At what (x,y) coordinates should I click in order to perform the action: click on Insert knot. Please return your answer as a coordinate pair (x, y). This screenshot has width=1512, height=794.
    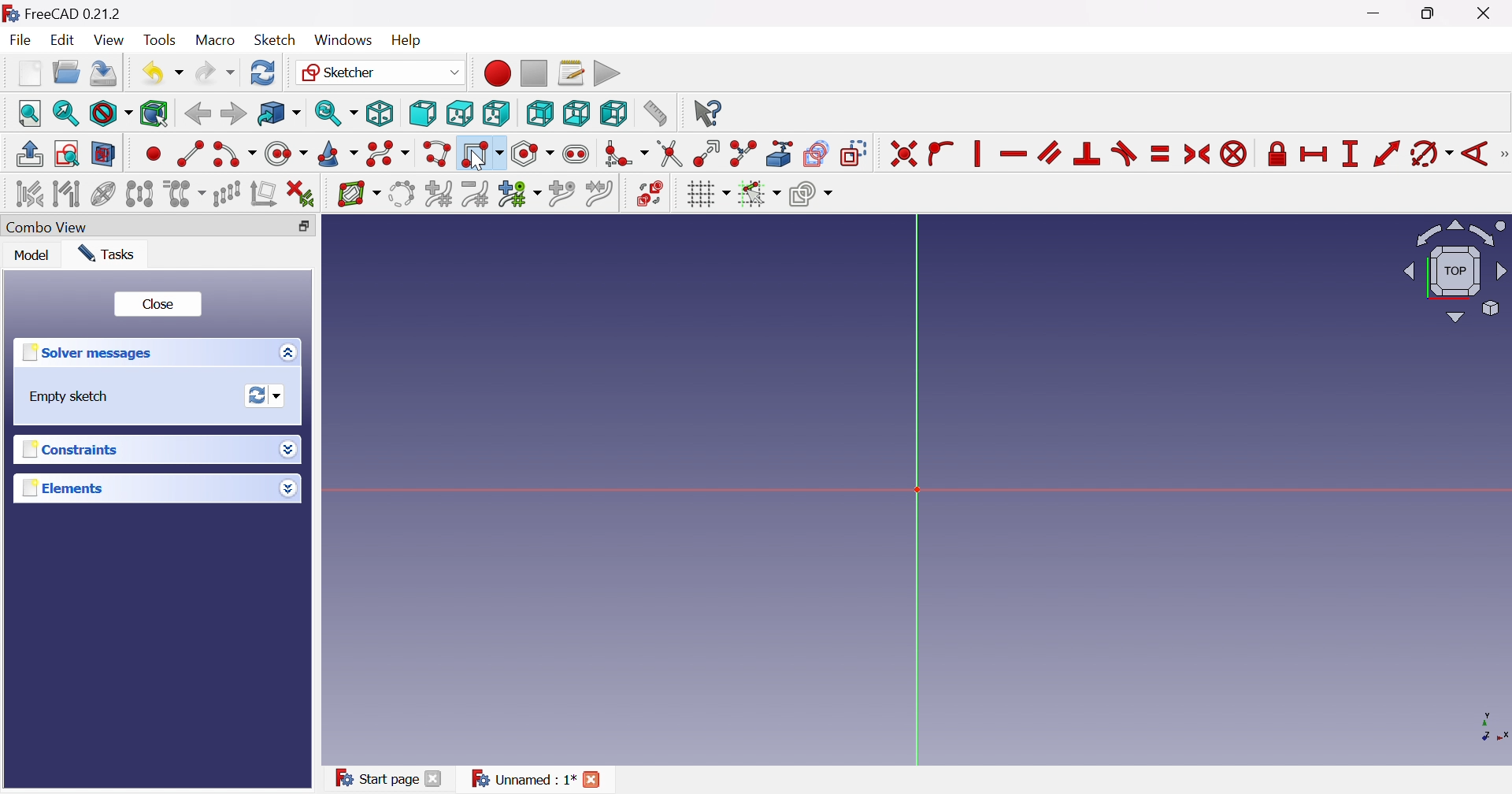
    Looking at the image, I should click on (561, 193).